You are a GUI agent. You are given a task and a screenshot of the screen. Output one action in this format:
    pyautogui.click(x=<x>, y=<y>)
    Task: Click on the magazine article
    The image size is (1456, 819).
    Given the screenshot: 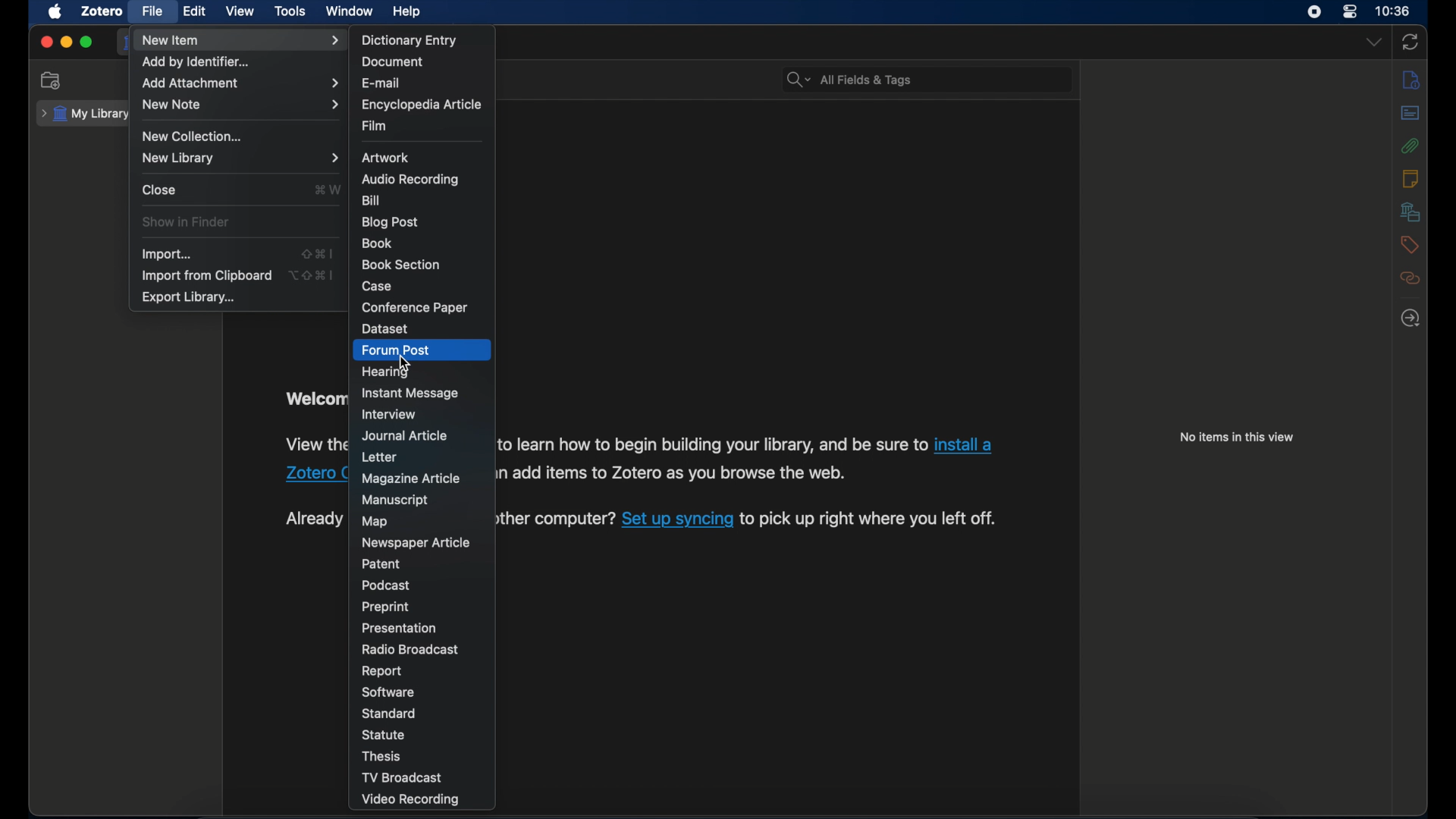 What is the action you would take?
    pyautogui.click(x=413, y=479)
    